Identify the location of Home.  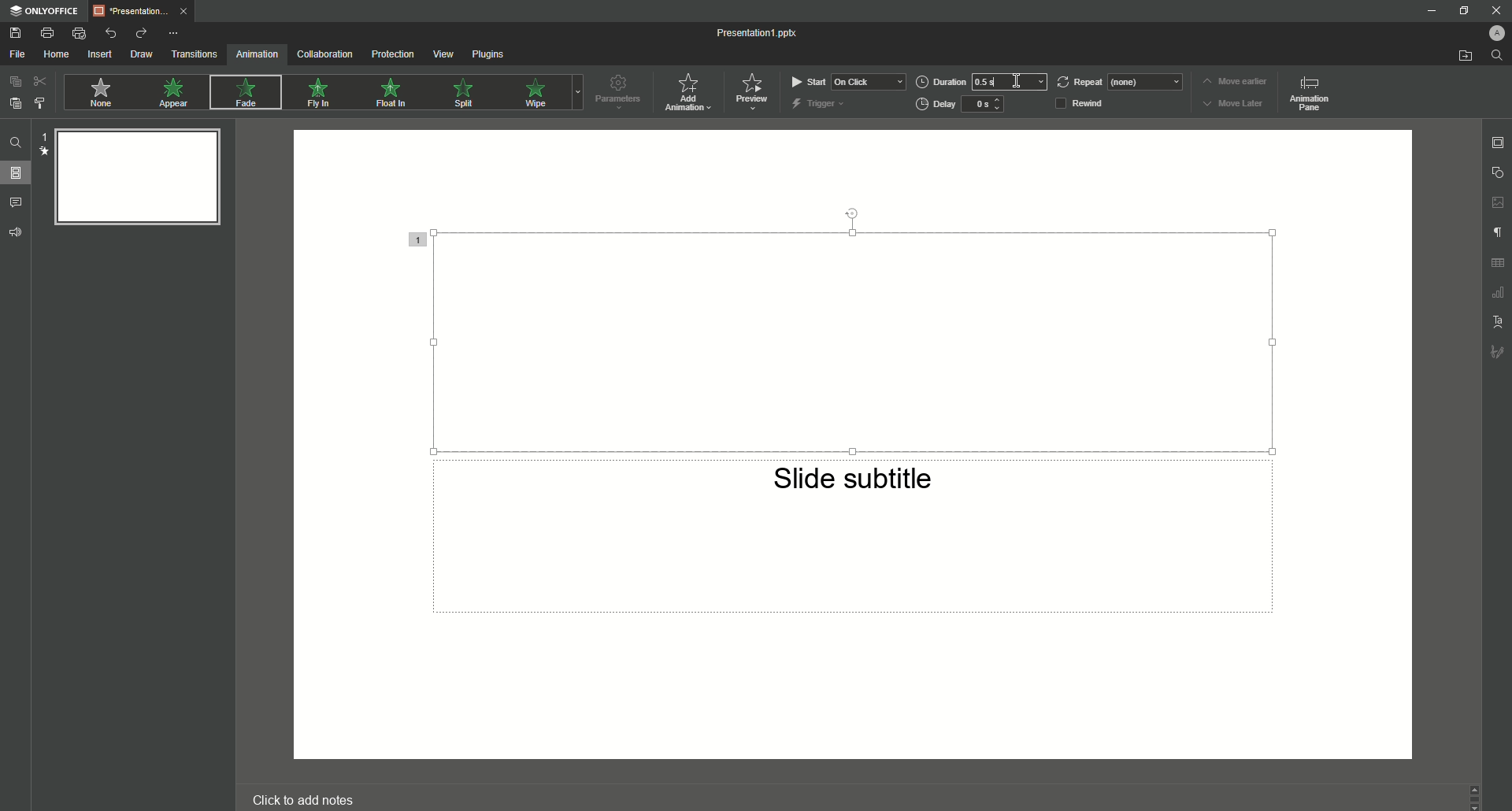
(57, 55).